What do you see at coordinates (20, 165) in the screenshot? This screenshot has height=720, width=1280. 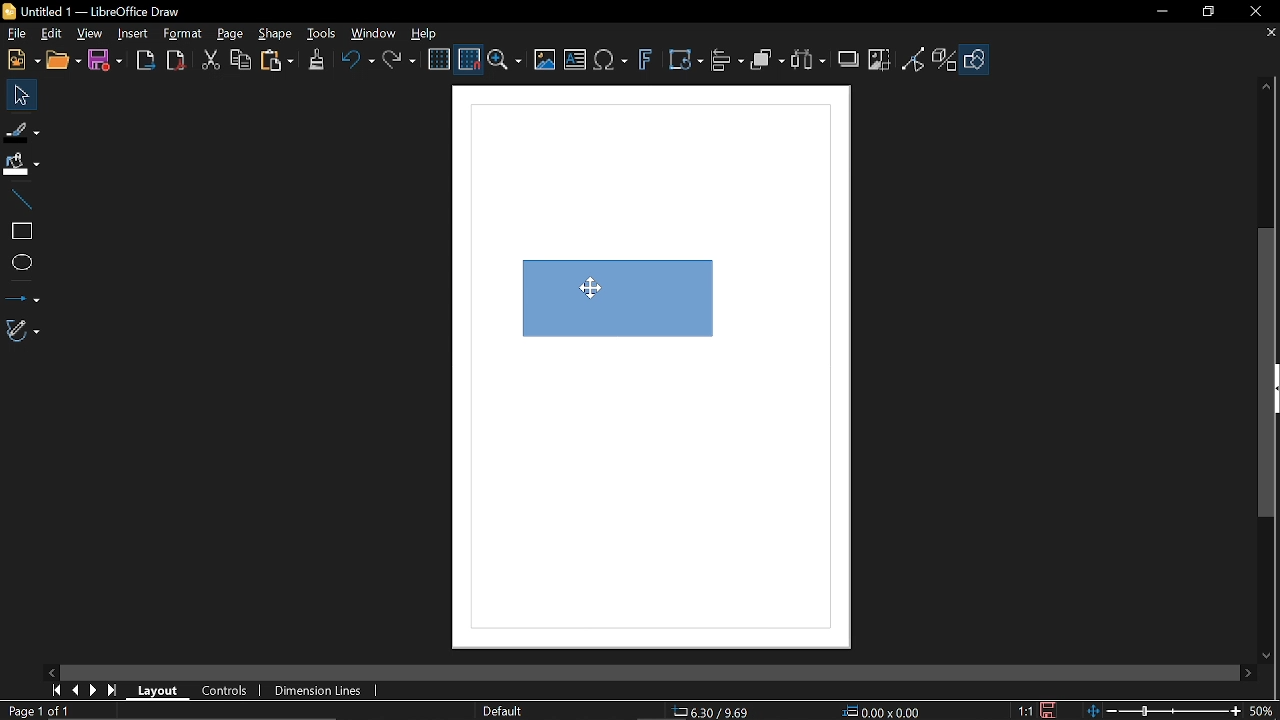 I see `Fill color` at bounding box center [20, 165].